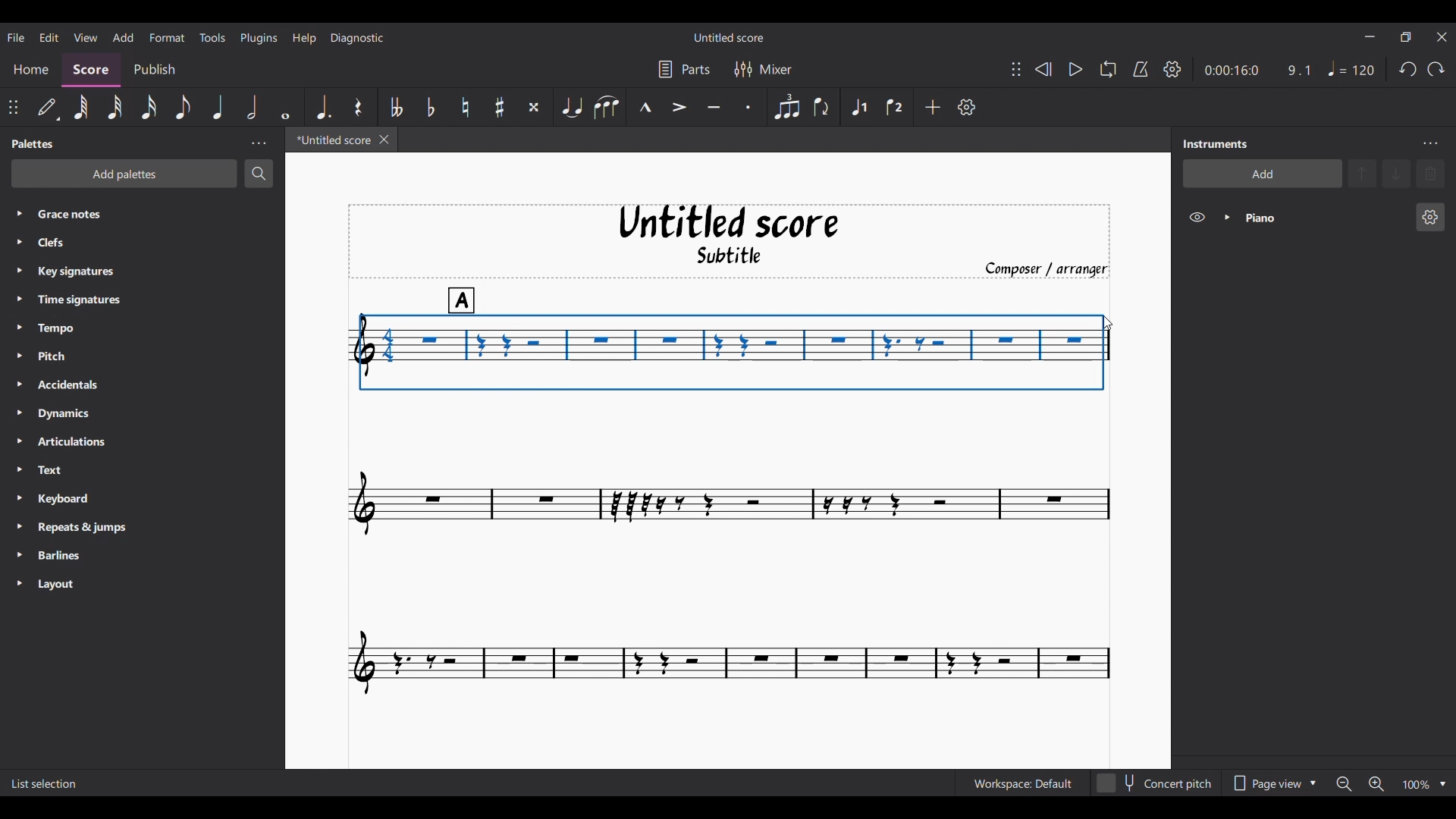 This screenshot has height=819, width=1456. I want to click on Key signatures., so click(89, 273).